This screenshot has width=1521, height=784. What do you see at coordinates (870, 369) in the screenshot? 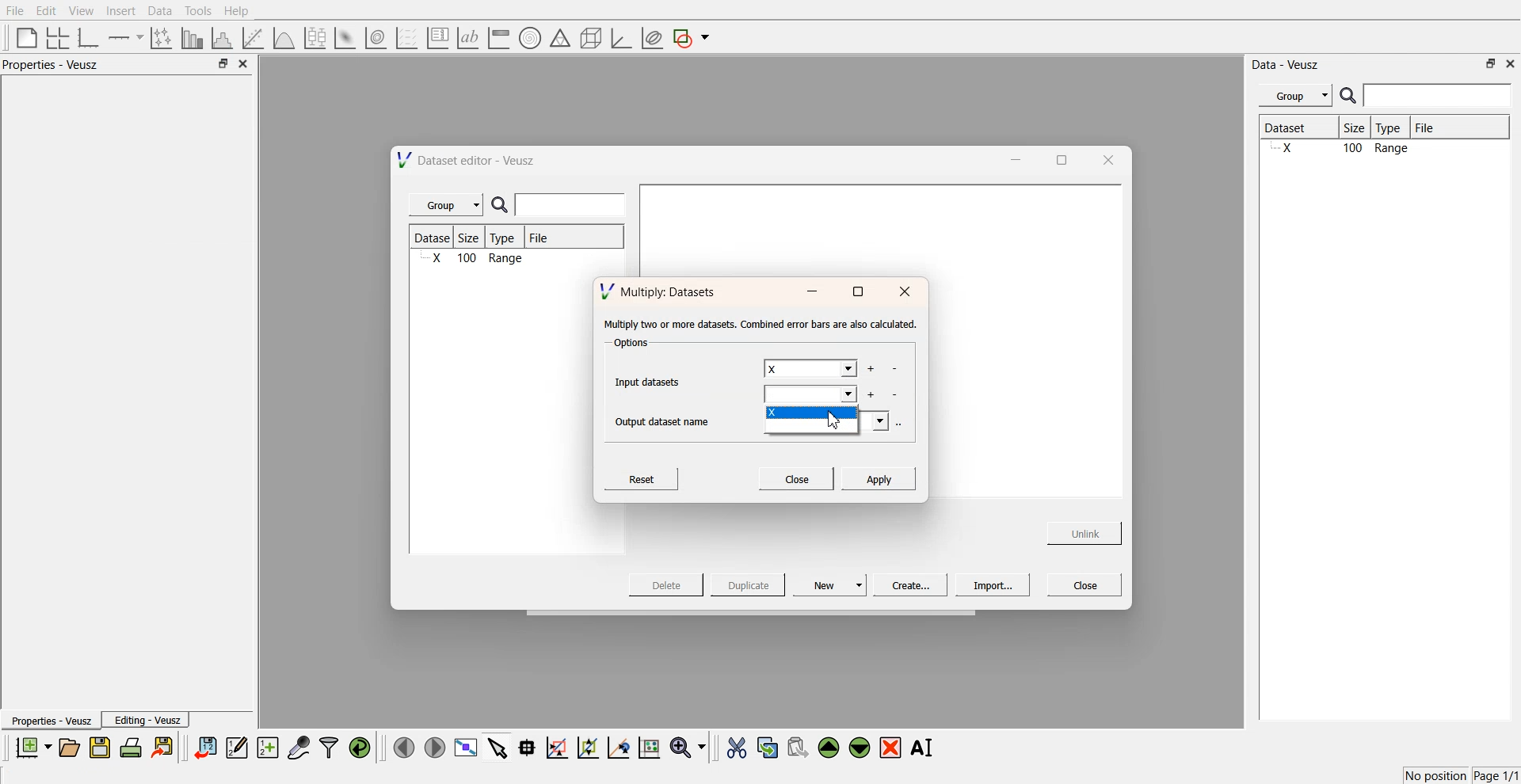
I see `add more` at bounding box center [870, 369].